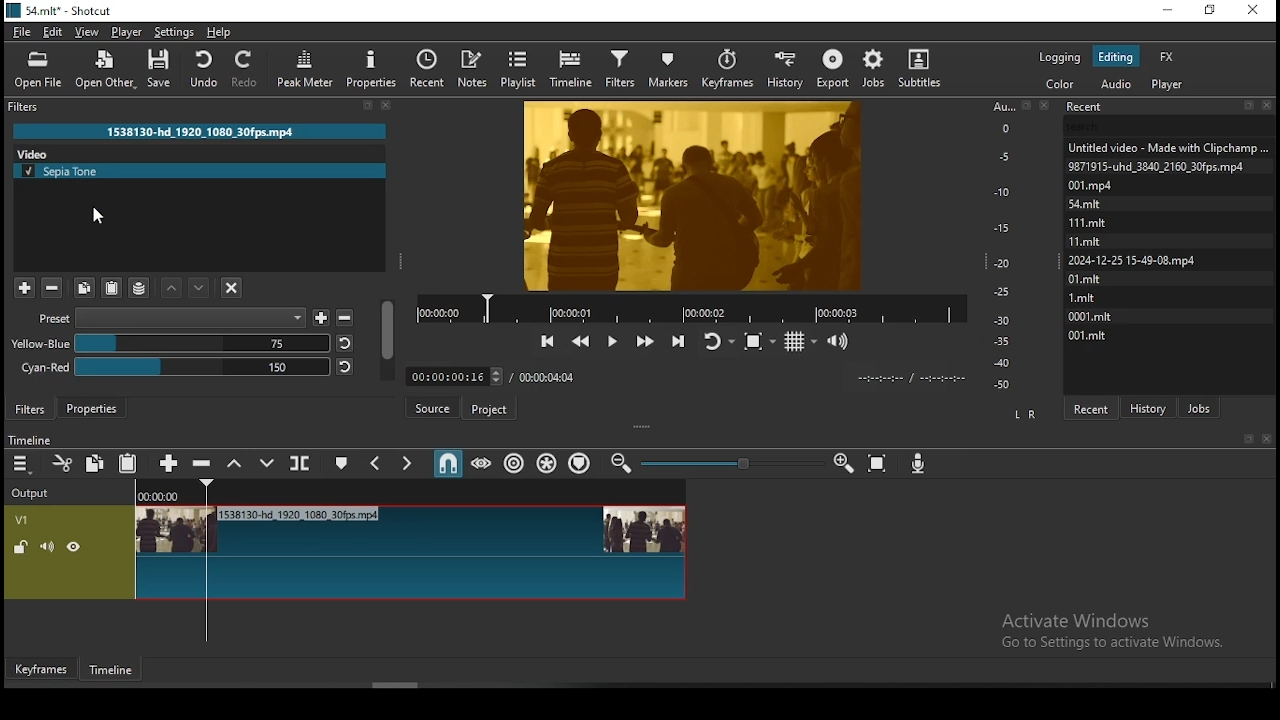  What do you see at coordinates (1197, 406) in the screenshot?
I see `jobs` at bounding box center [1197, 406].